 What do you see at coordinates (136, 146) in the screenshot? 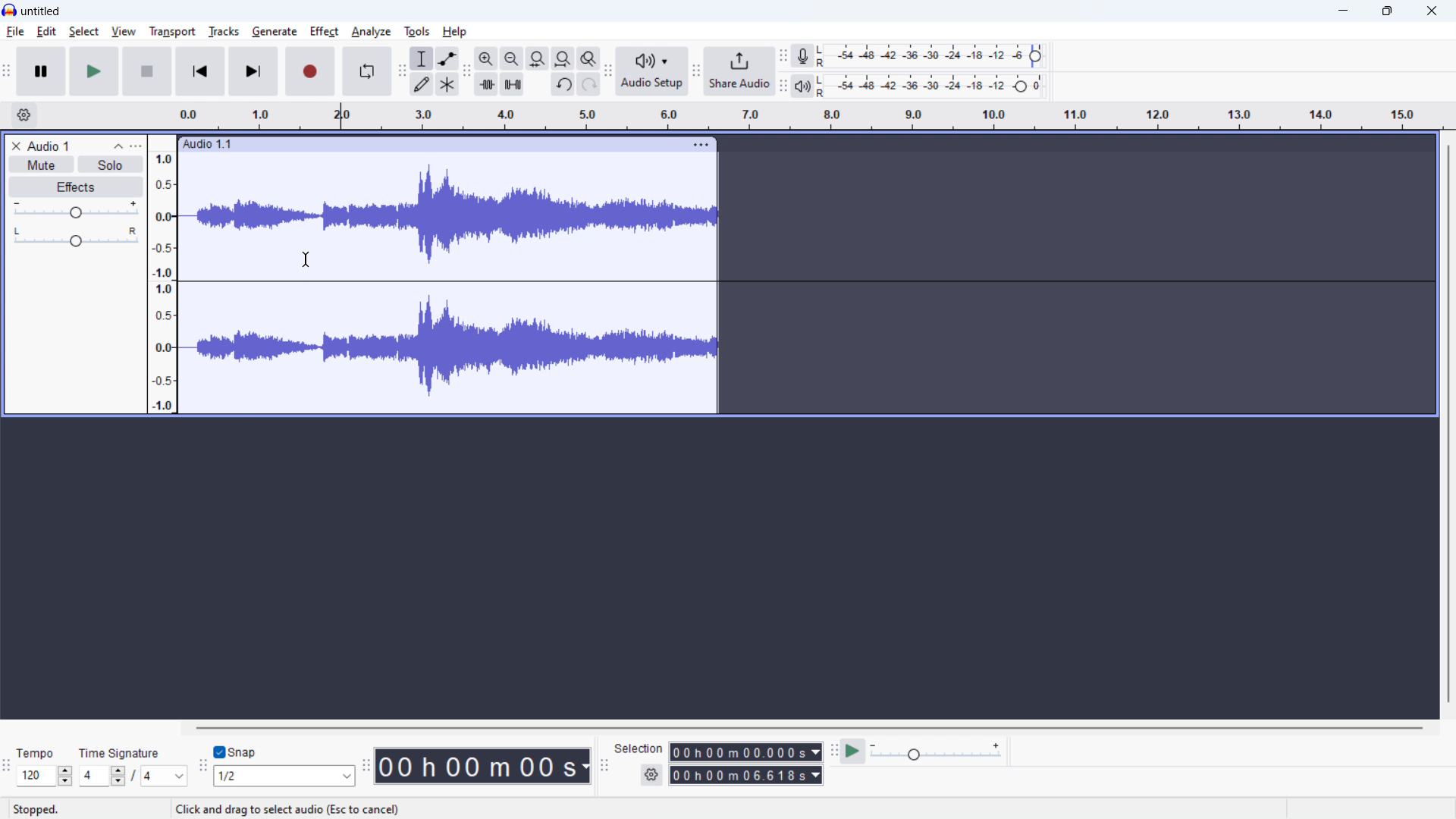
I see `track control panel menu` at bounding box center [136, 146].